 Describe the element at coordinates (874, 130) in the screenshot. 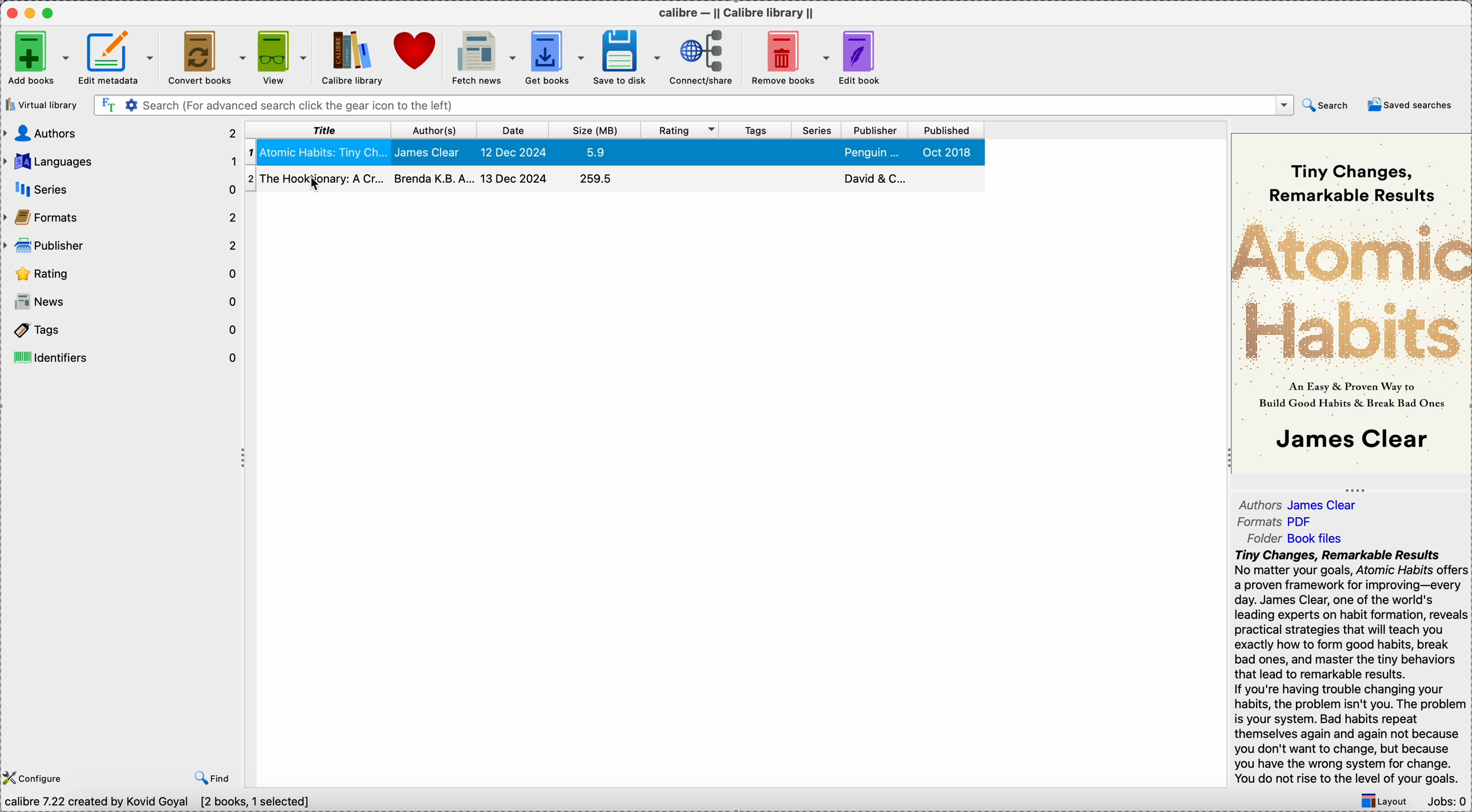

I see `publisher` at that location.